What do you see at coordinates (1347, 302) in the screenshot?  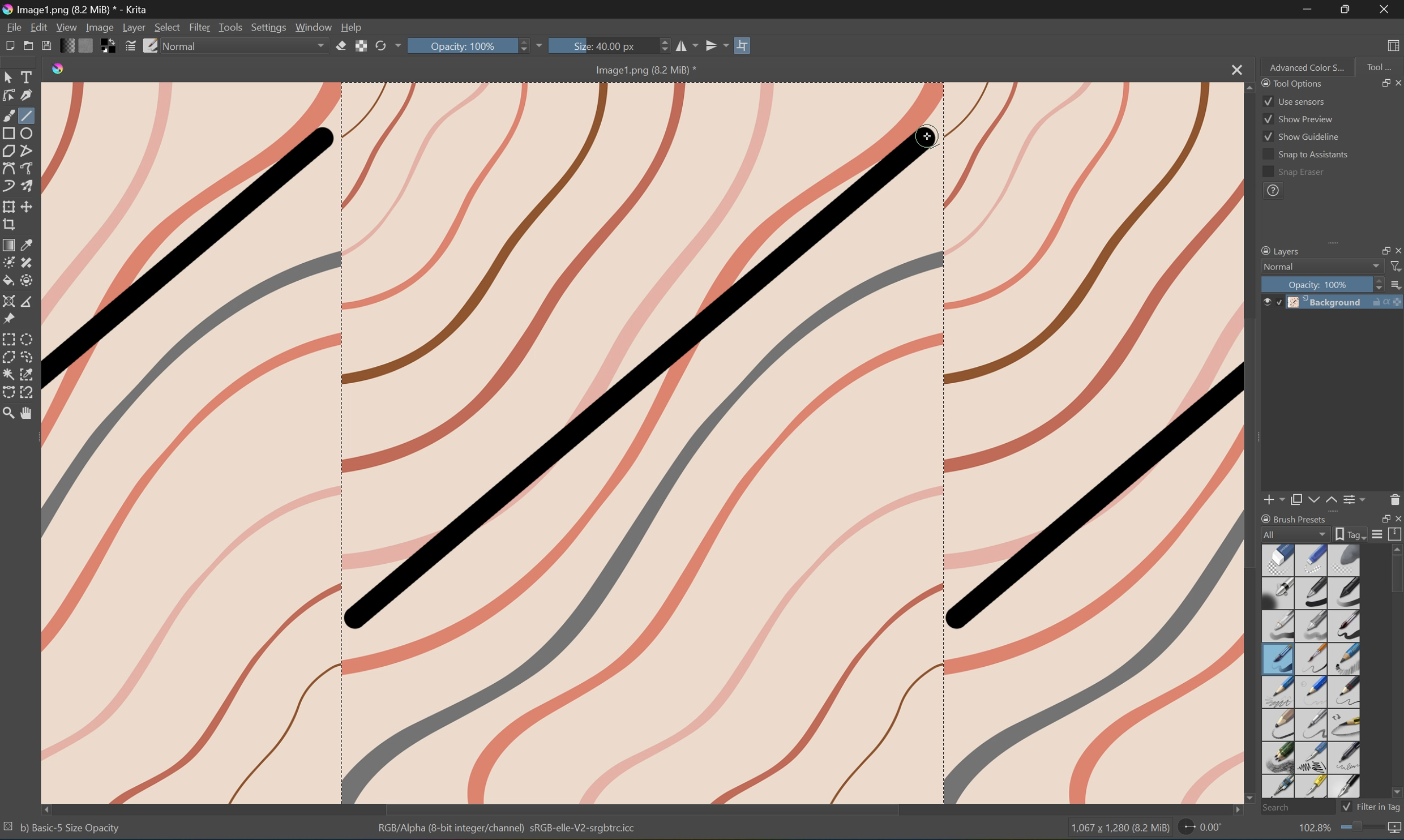 I see `Background` at bounding box center [1347, 302].